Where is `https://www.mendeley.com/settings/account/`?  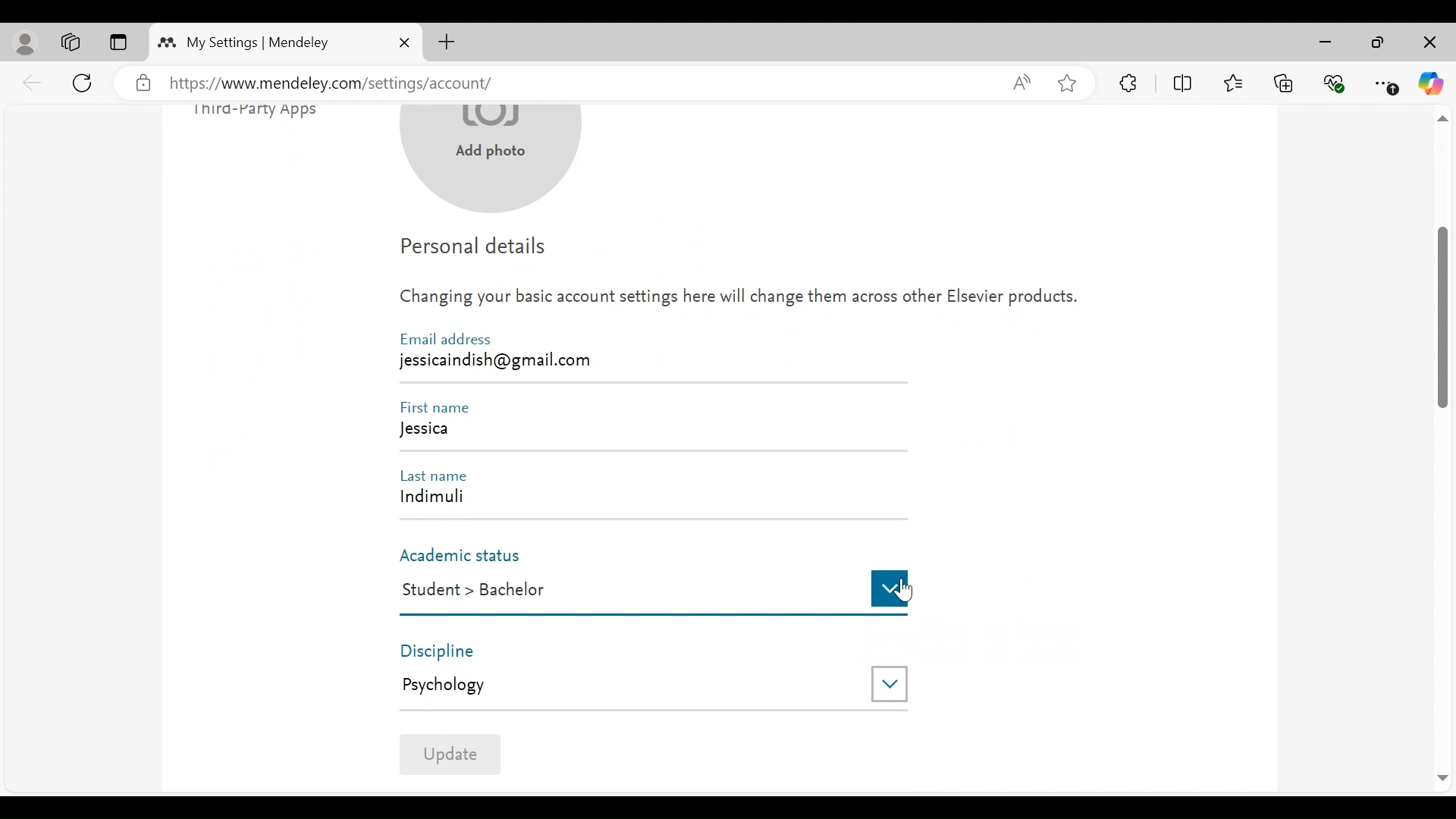 https://www.mendeley.com/settings/account/ is located at coordinates (578, 84).